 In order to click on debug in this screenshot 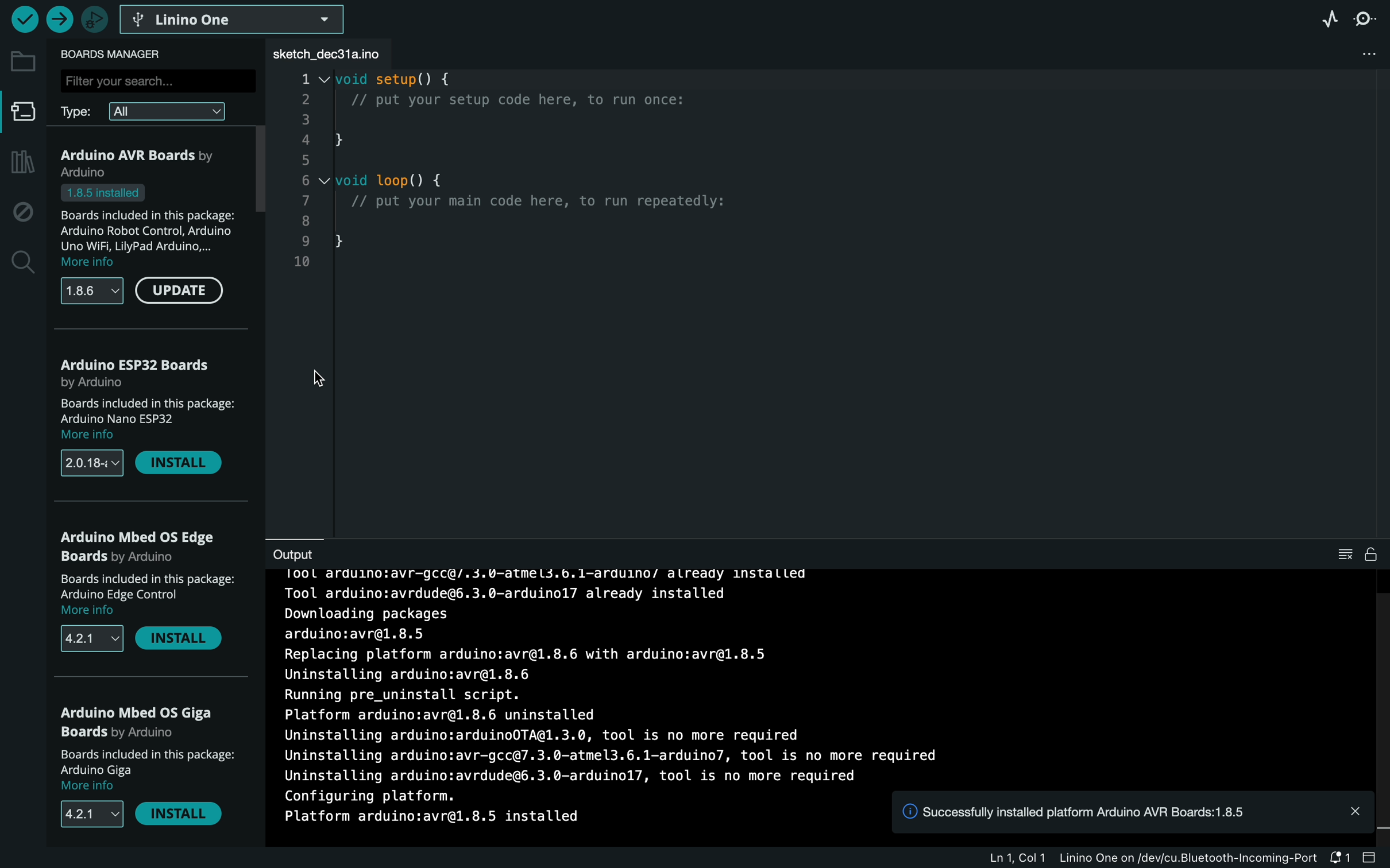, I will do `click(23, 212)`.